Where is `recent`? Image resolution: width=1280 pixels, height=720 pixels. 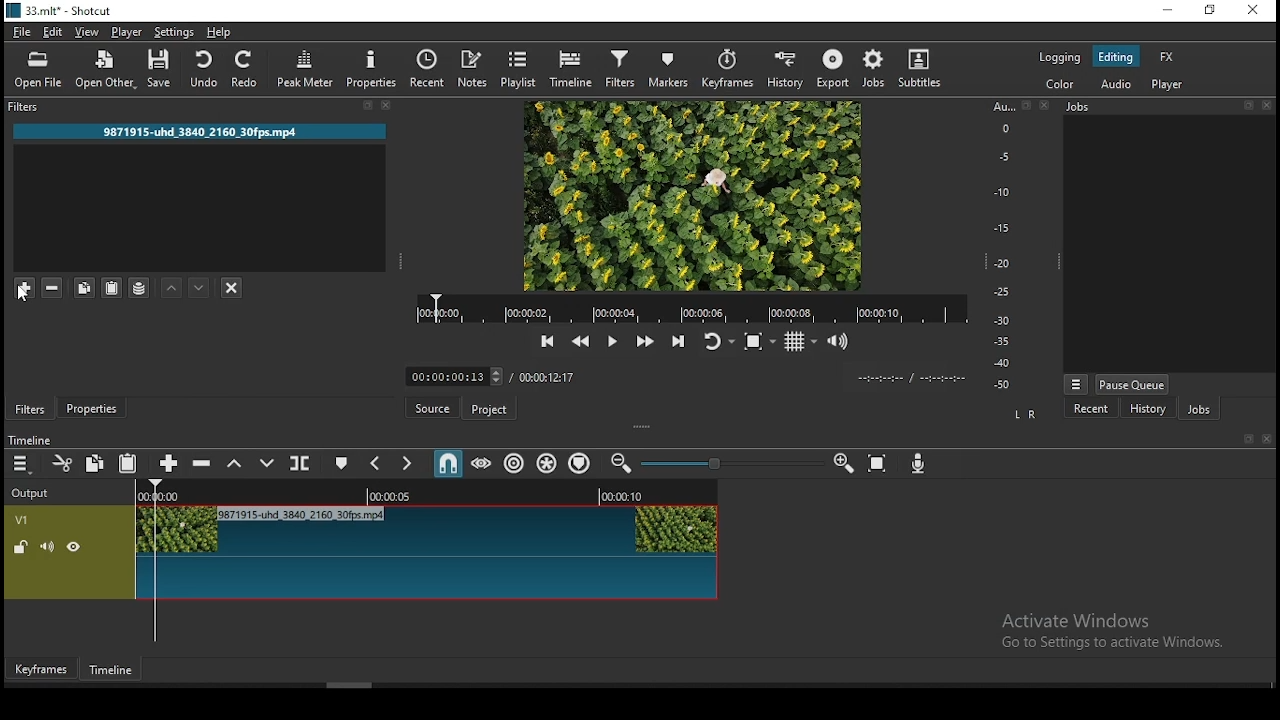
recent is located at coordinates (427, 66).